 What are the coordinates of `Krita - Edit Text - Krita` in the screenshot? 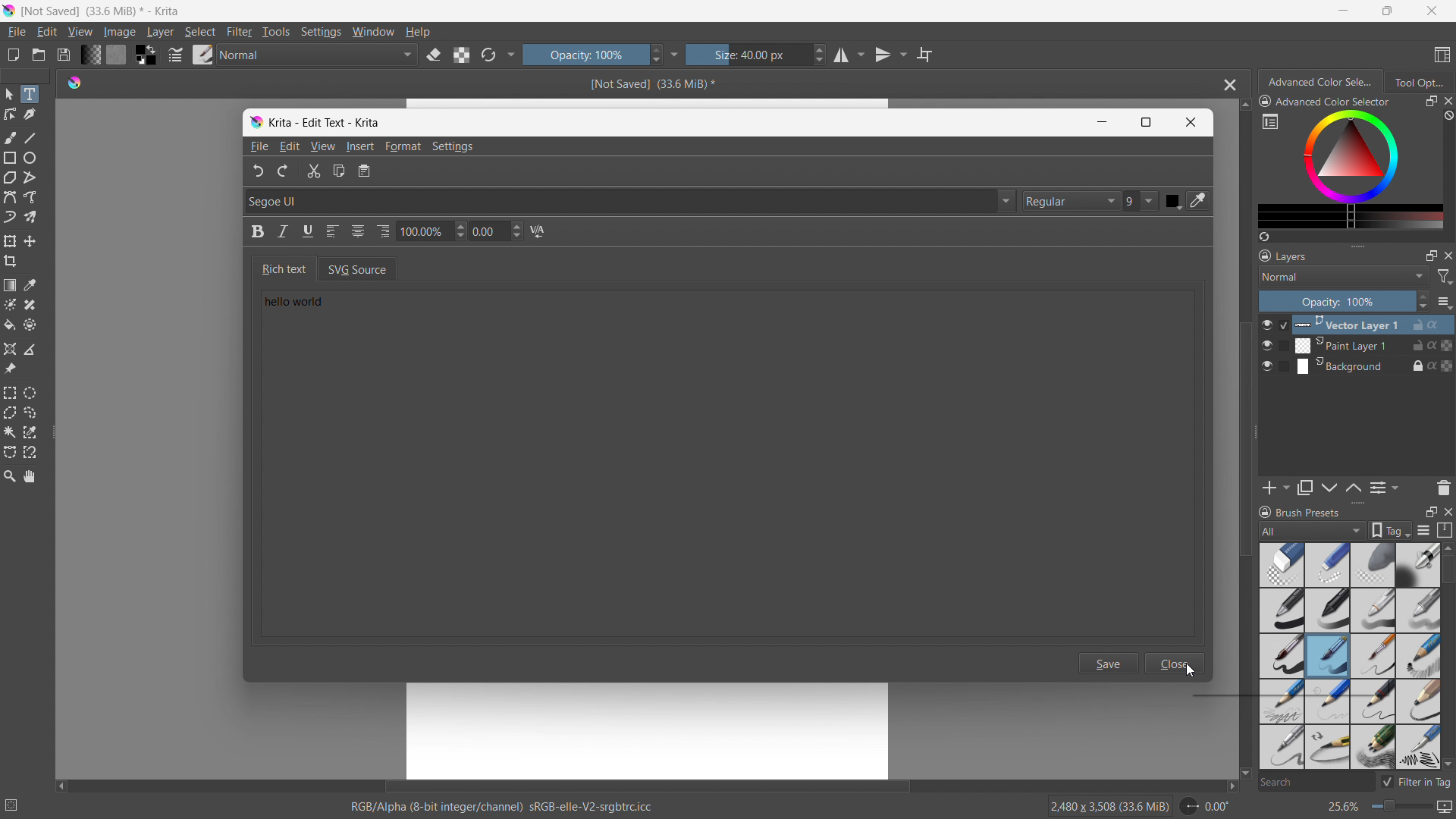 It's located at (326, 121).